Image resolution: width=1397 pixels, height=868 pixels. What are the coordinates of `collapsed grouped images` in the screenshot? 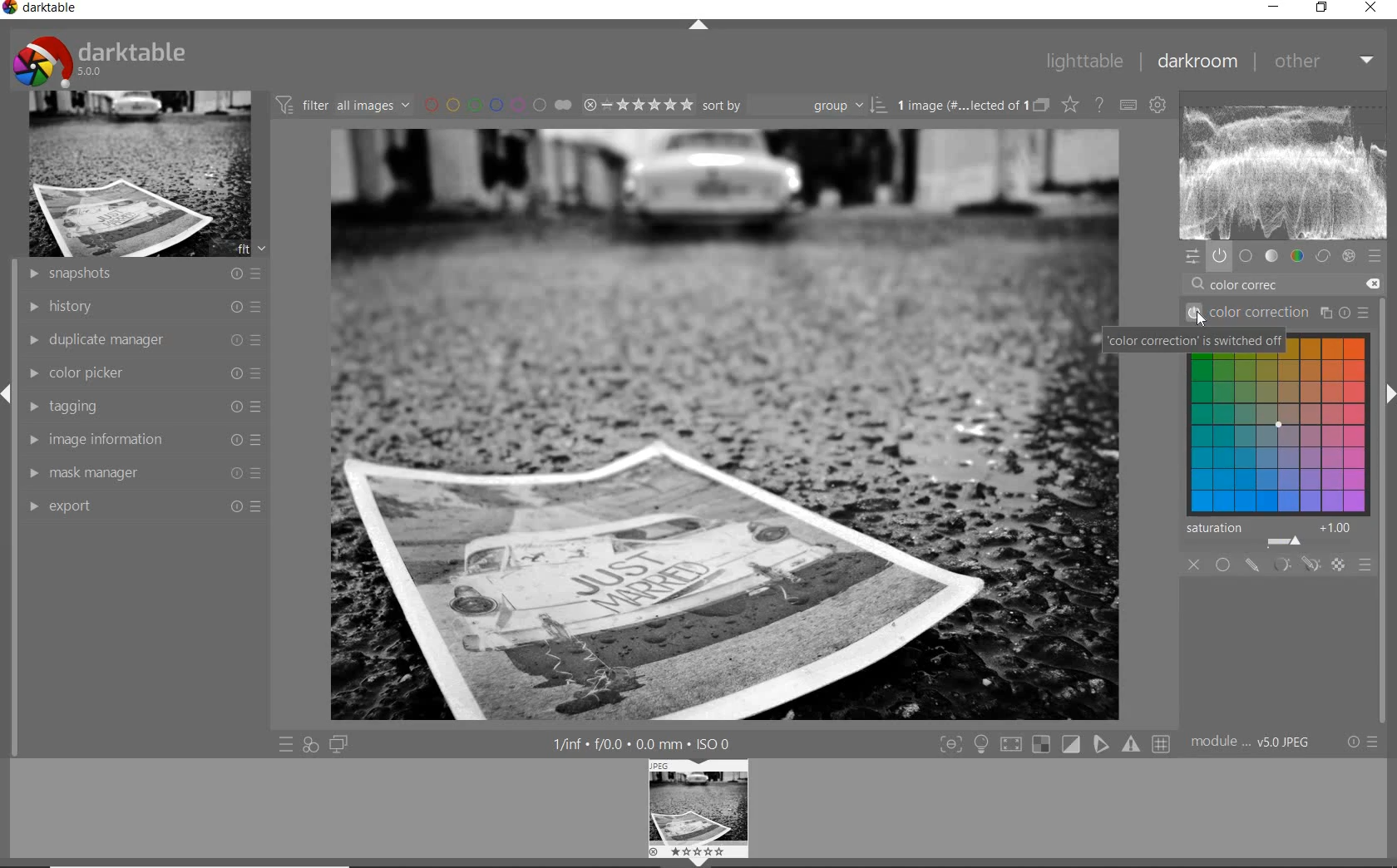 It's located at (1042, 105).